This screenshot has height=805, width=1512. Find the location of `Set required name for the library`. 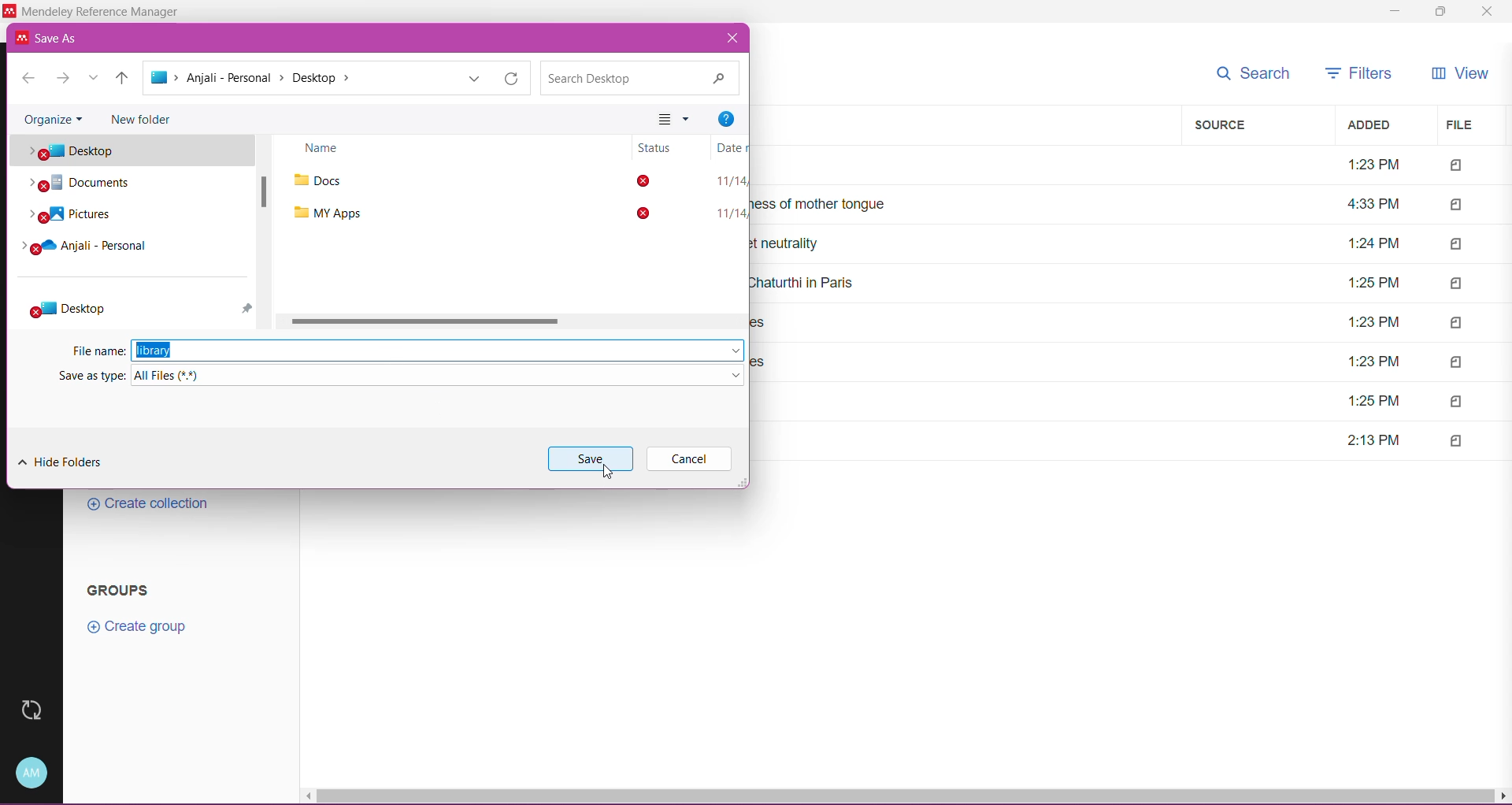

Set required name for the library is located at coordinates (438, 351).